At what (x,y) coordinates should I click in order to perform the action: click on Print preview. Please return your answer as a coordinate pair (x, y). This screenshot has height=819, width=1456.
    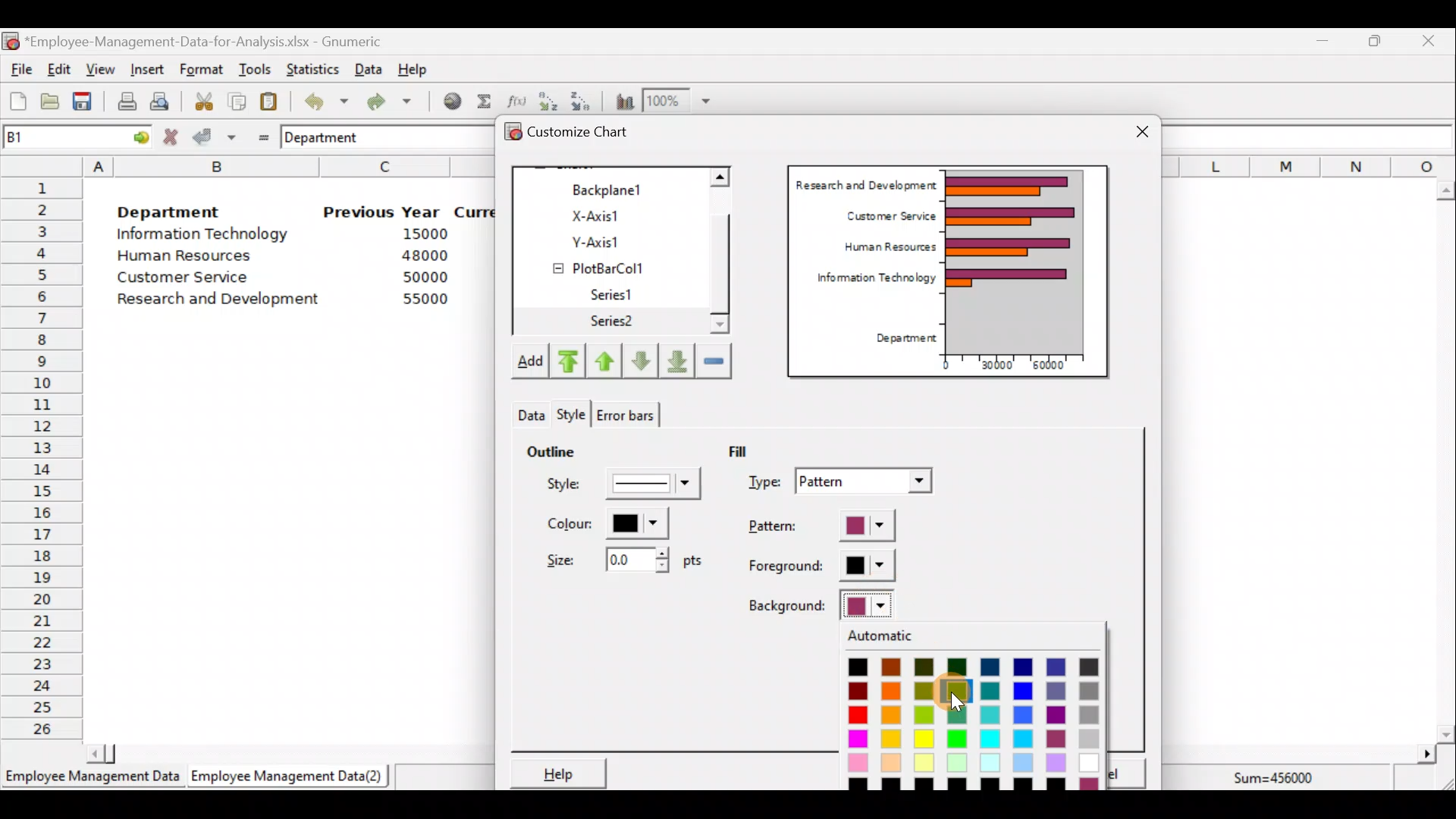
    Looking at the image, I should click on (159, 99).